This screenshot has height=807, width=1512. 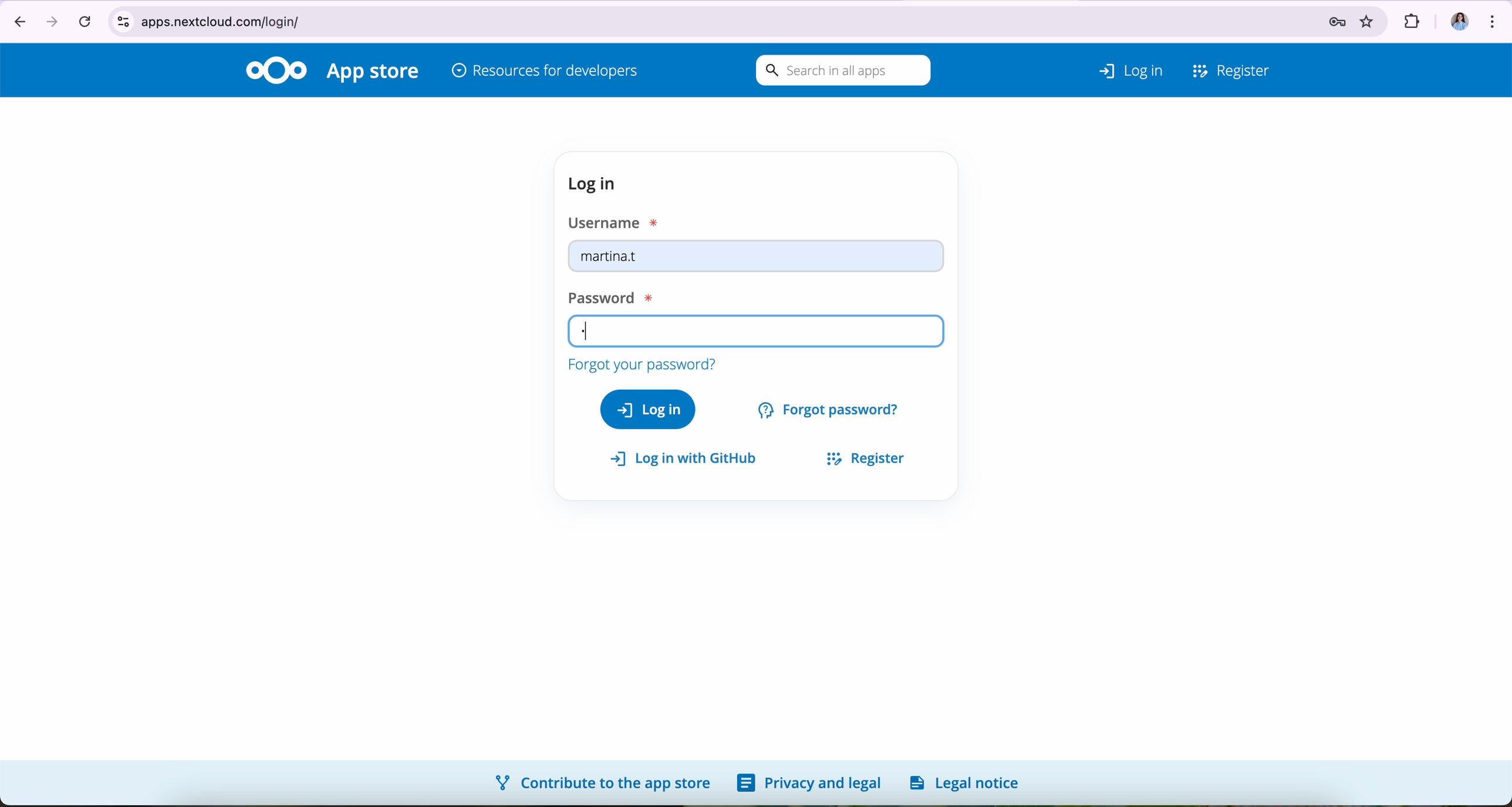 I want to click on privacy and legal, so click(x=809, y=784).